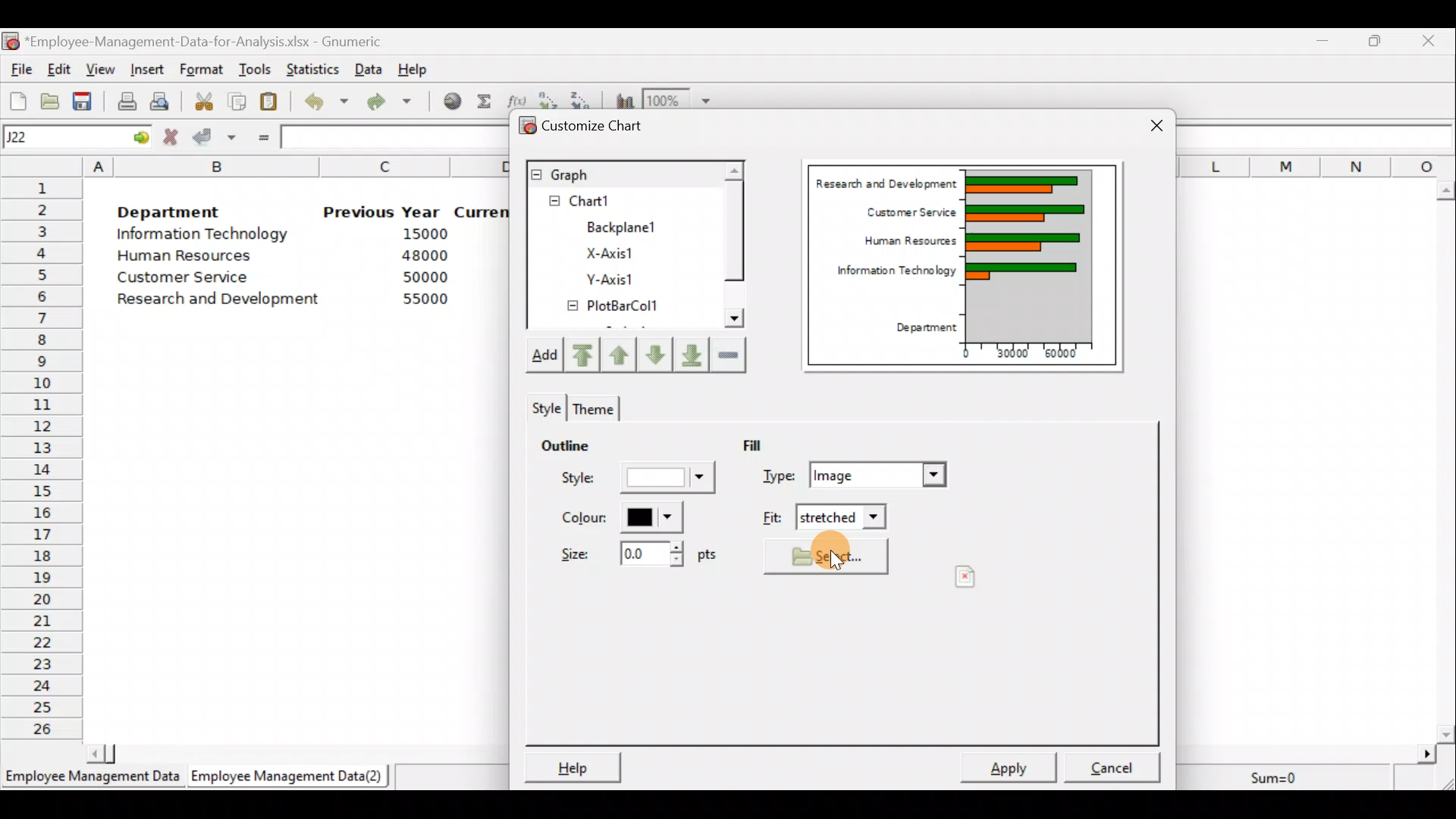  What do you see at coordinates (49, 99) in the screenshot?
I see `Open a file` at bounding box center [49, 99].